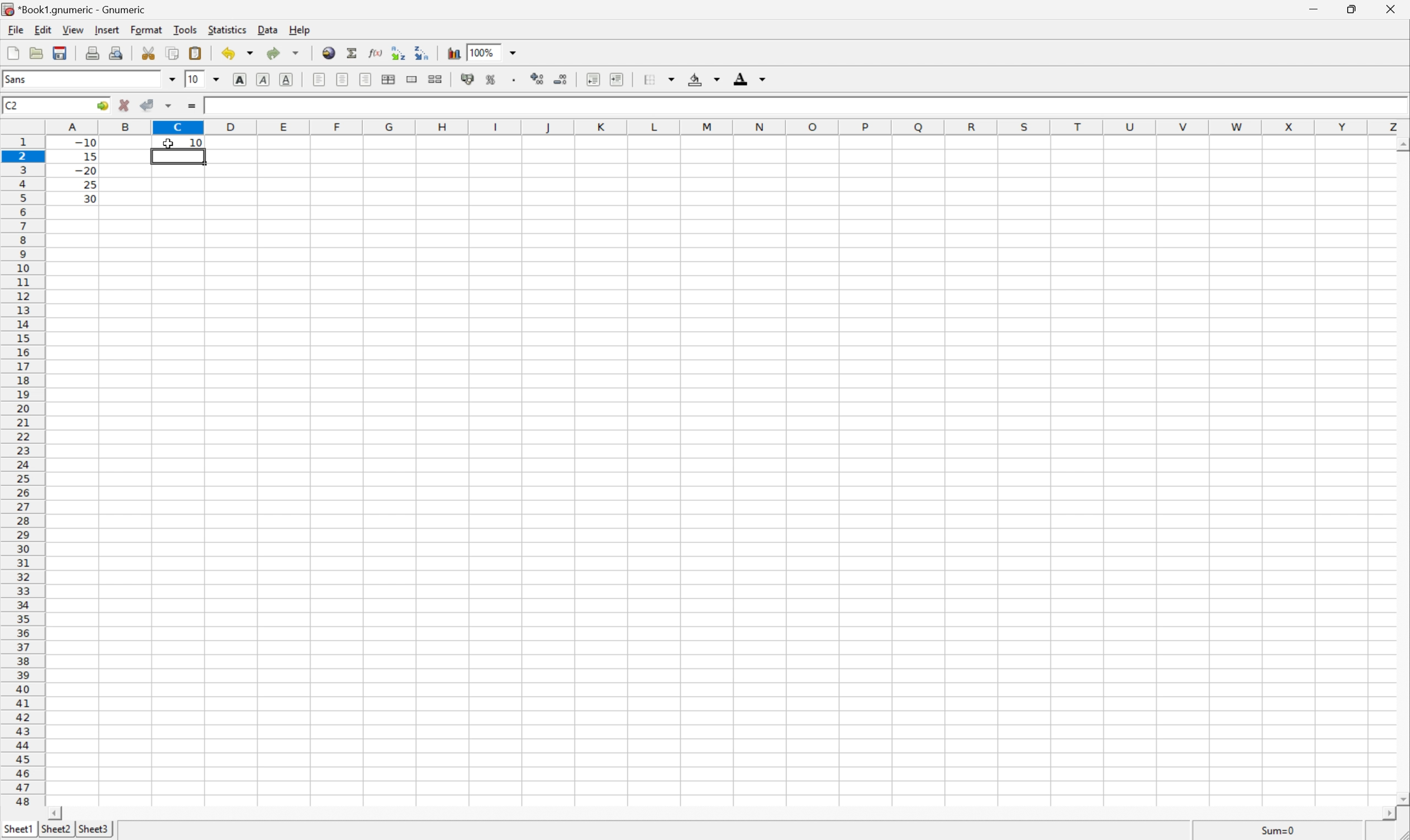  I want to click on Decrease the number of decimals displayed, so click(561, 79).